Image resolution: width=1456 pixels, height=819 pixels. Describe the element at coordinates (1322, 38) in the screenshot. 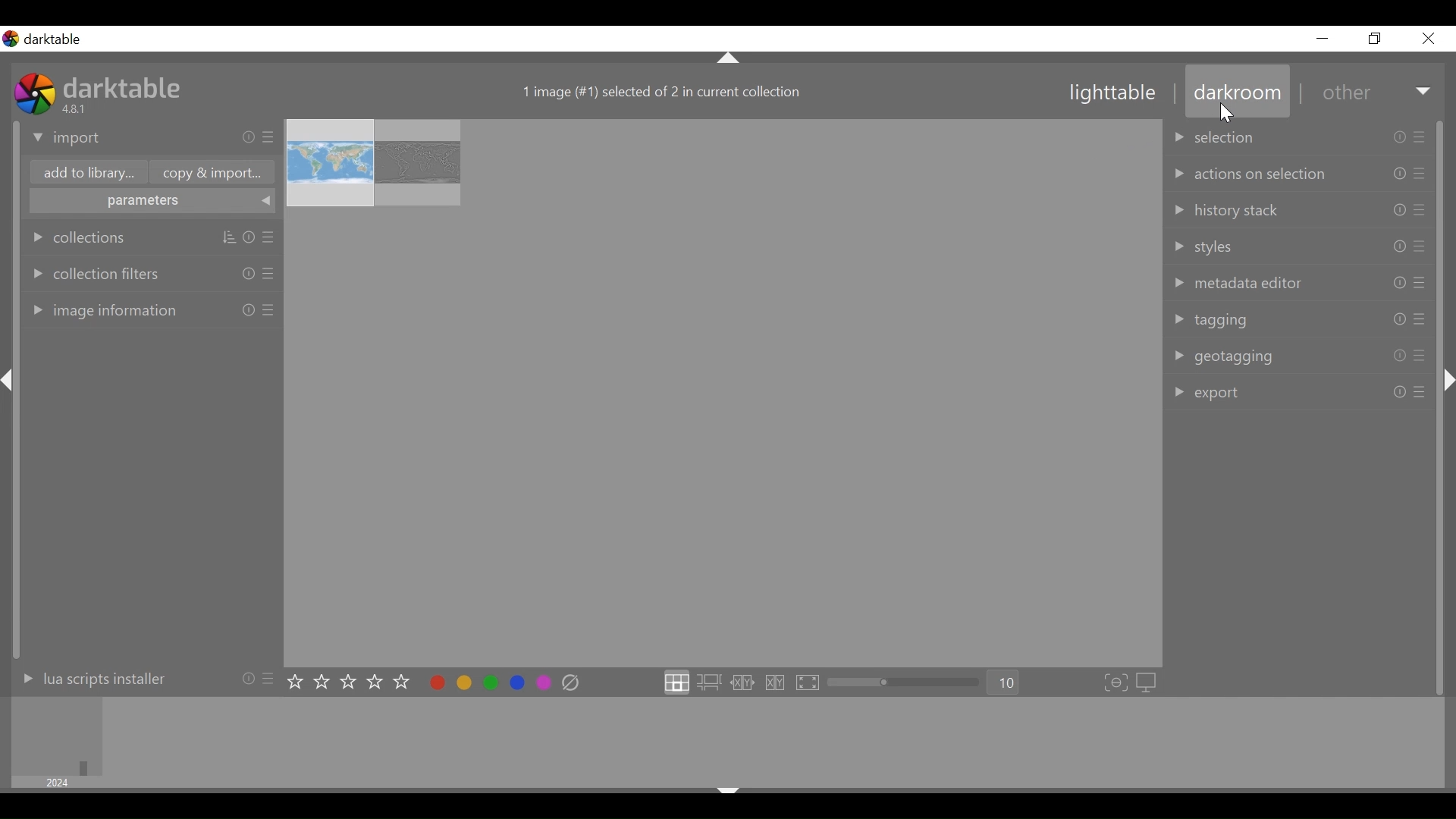

I see `minimize` at that location.